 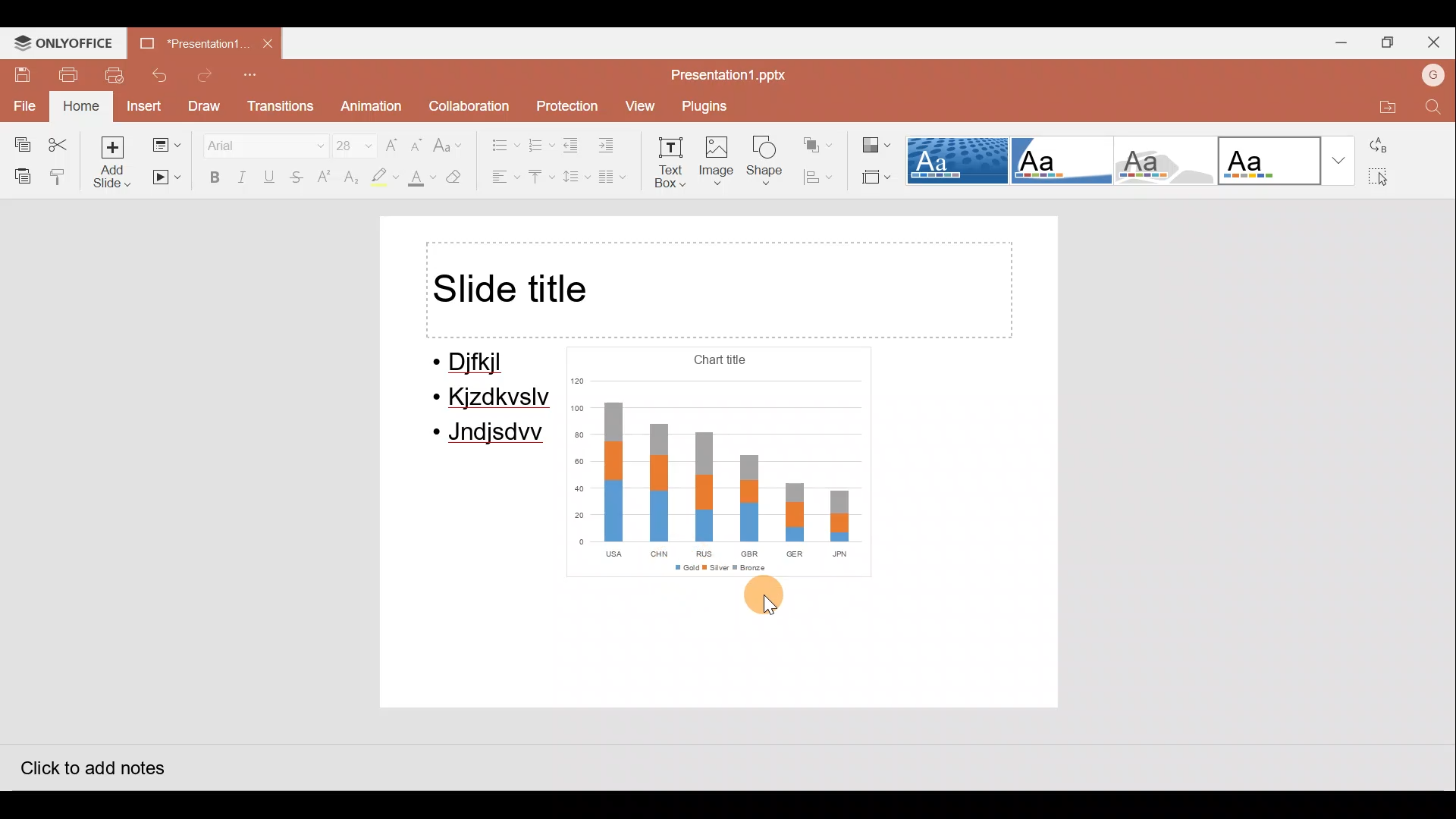 What do you see at coordinates (877, 140) in the screenshot?
I see `Change color theme` at bounding box center [877, 140].